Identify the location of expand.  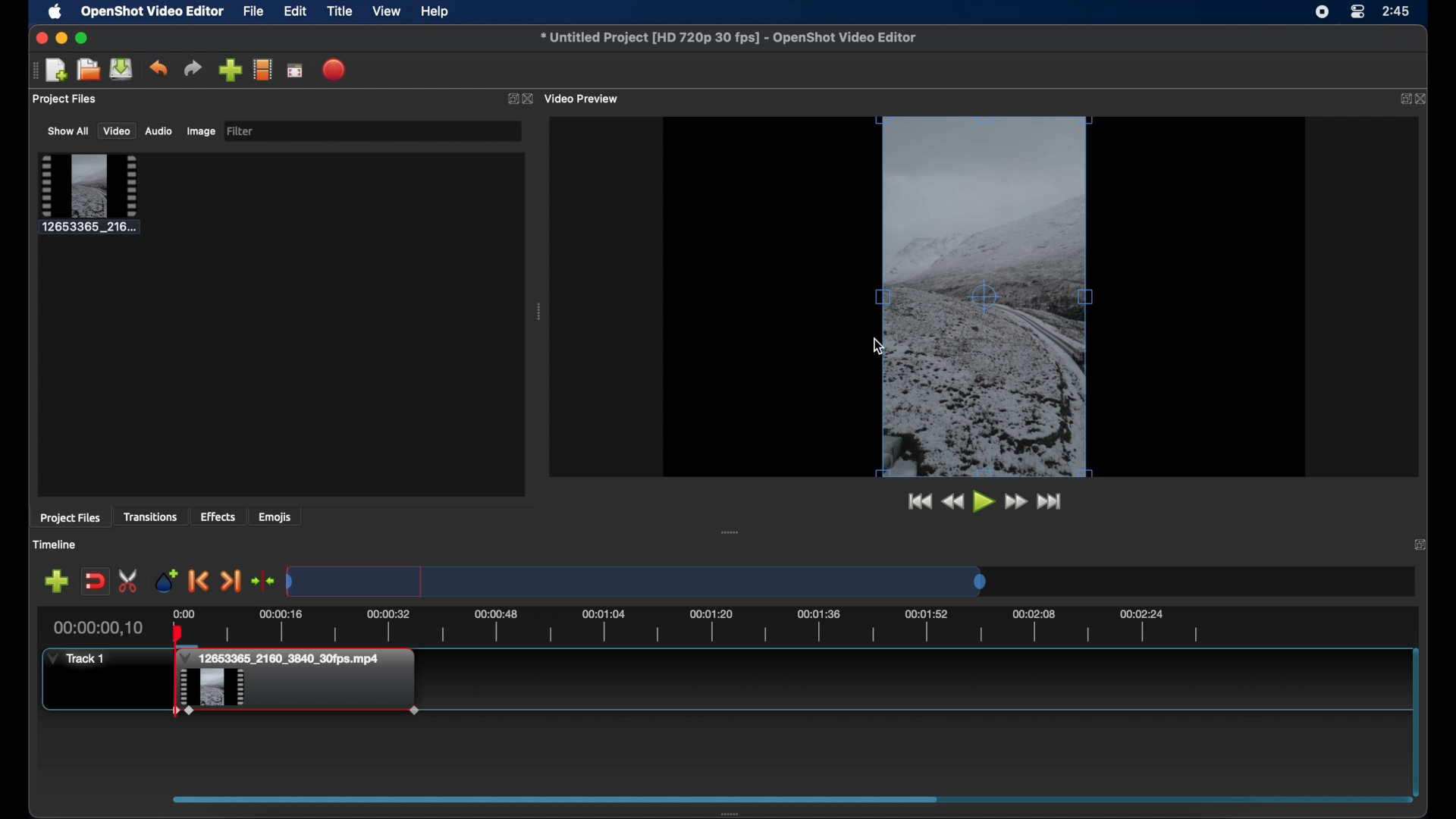
(509, 98).